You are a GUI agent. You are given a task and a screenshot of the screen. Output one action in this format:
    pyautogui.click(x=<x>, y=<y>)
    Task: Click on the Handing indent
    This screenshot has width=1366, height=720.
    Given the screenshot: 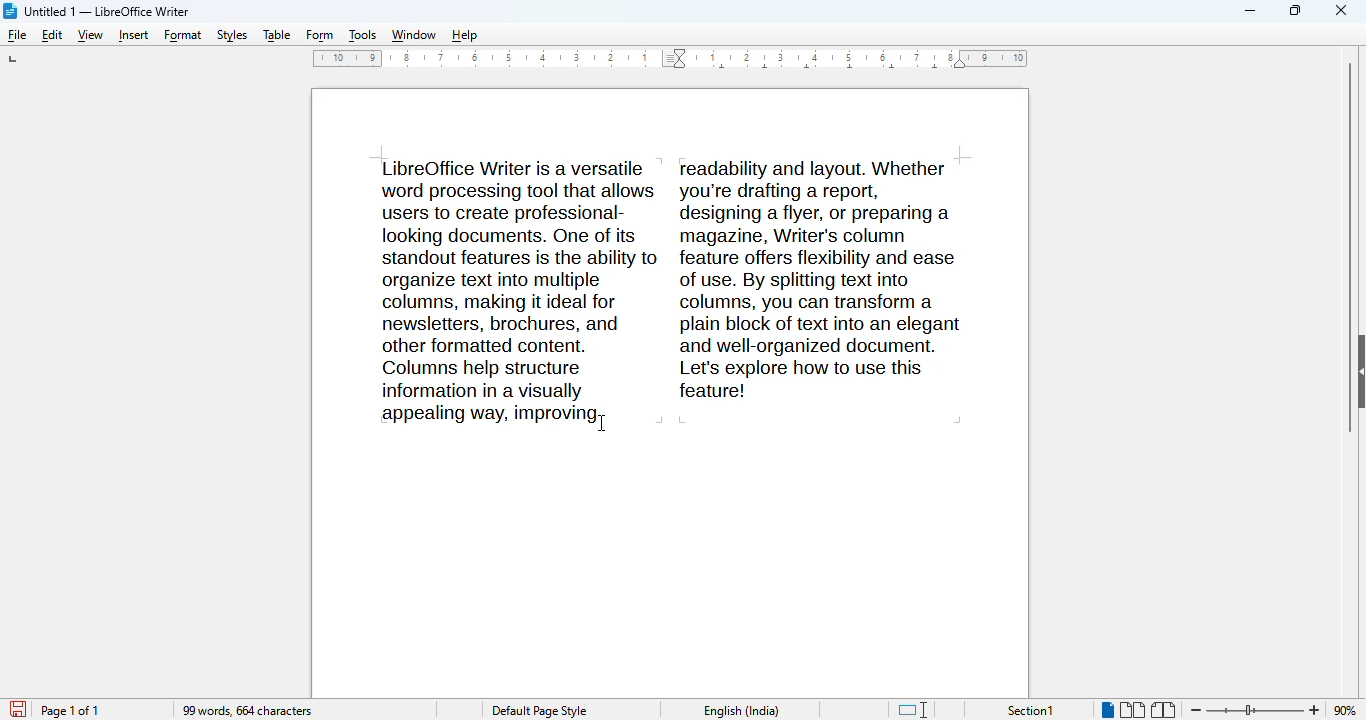 What is the action you would take?
    pyautogui.click(x=960, y=65)
    